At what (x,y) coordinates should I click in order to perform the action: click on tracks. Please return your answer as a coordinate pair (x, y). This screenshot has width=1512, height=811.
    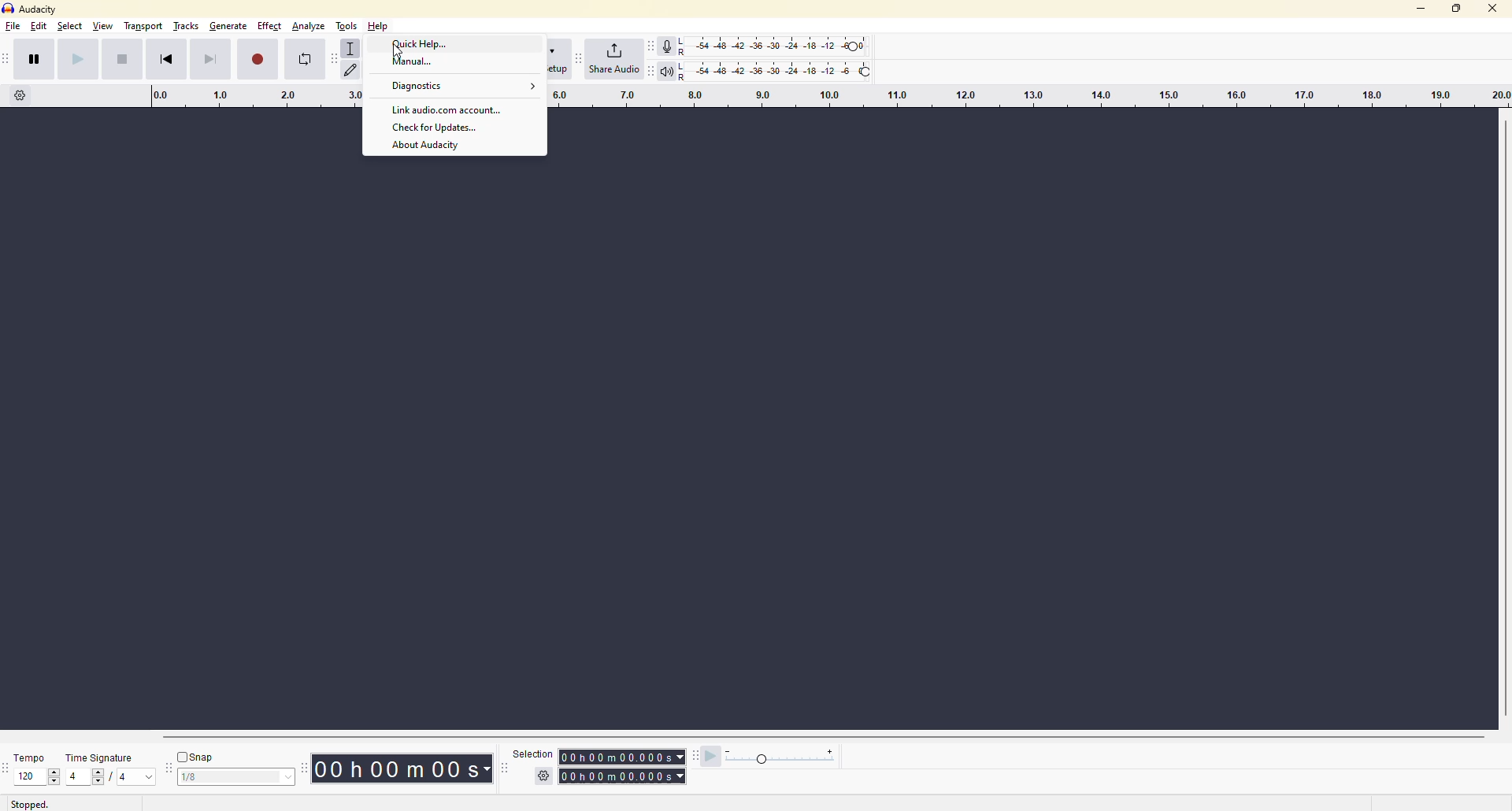
    Looking at the image, I should click on (187, 27).